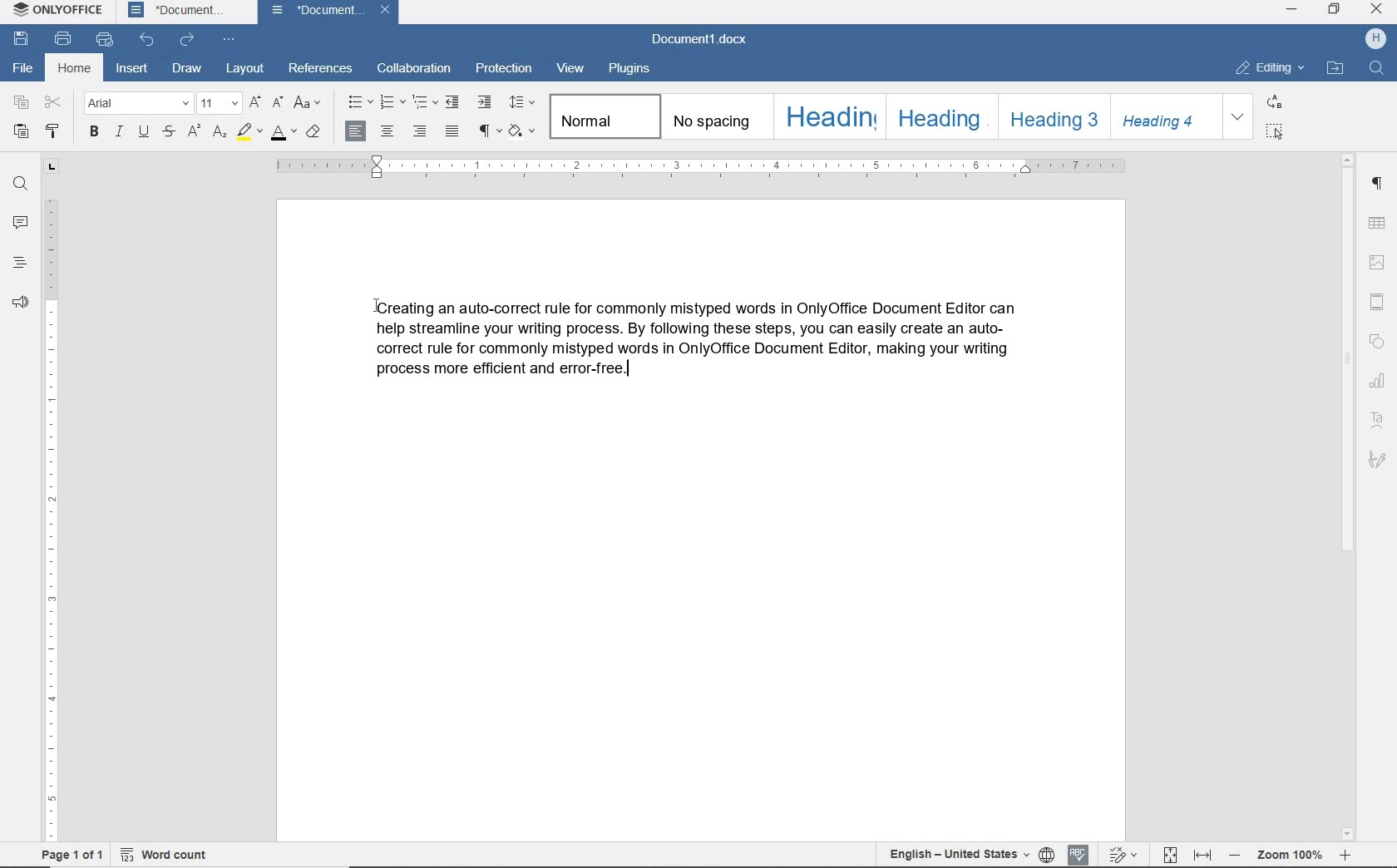 The width and height of the screenshot is (1397, 868). I want to click on file, so click(22, 68).